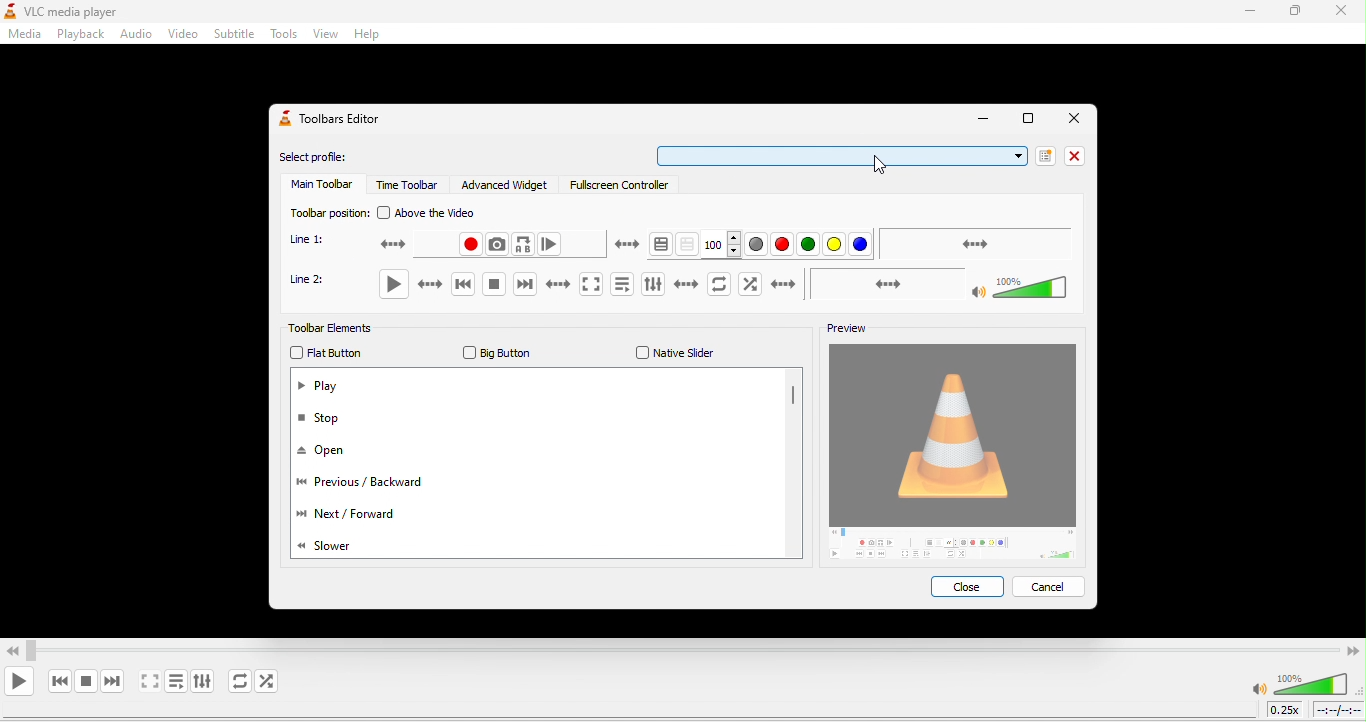 The image size is (1366, 722). I want to click on playback speed, so click(1285, 711).